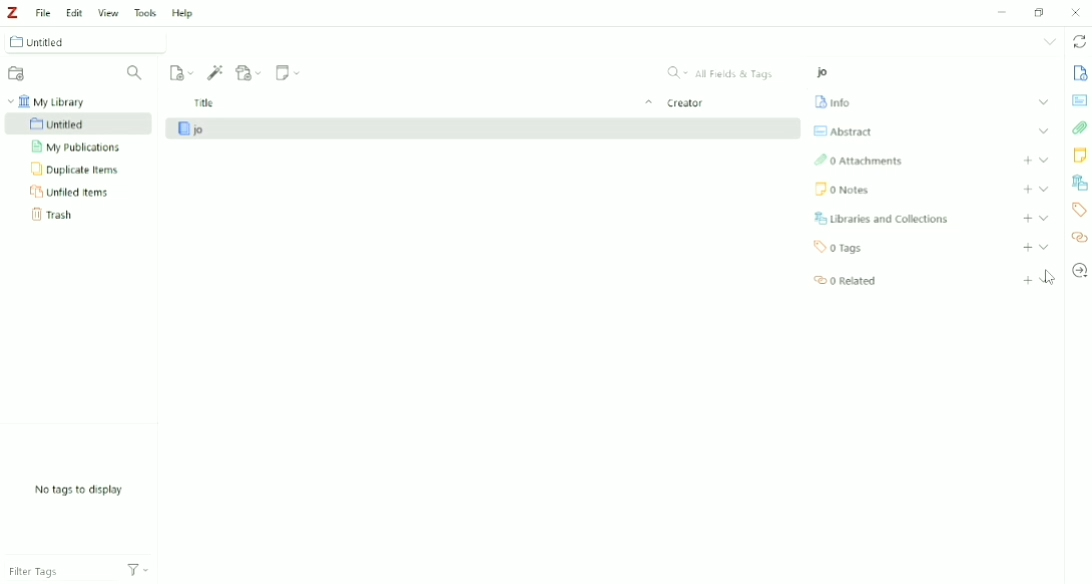  What do you see at coordinates (1078, 43) in the screenshot?
I see `Sync` at bounding box center [1078, 43].